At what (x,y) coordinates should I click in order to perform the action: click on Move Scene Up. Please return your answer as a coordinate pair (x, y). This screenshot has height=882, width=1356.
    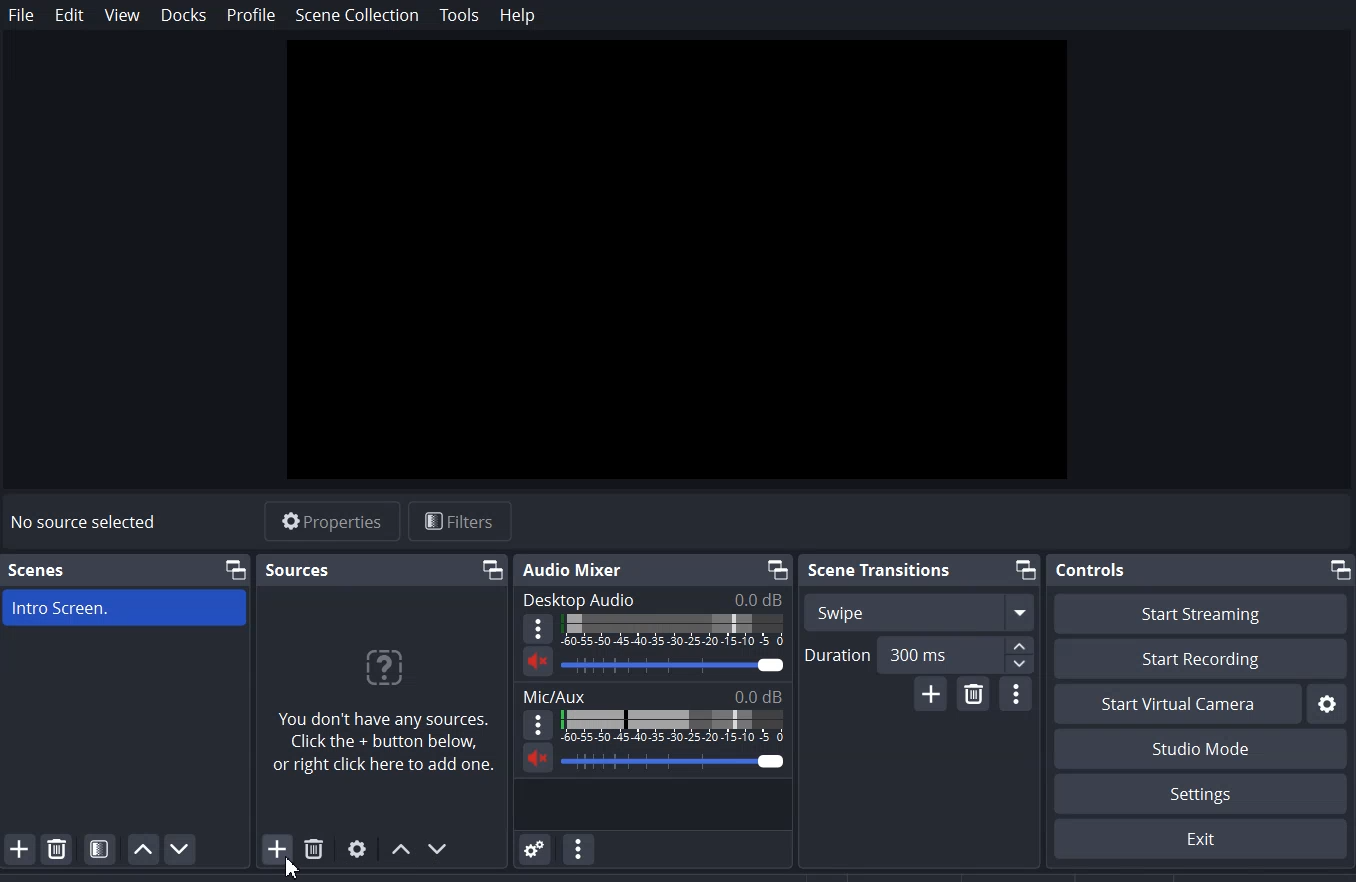
    Looking at the image, I should click on (143, 849).